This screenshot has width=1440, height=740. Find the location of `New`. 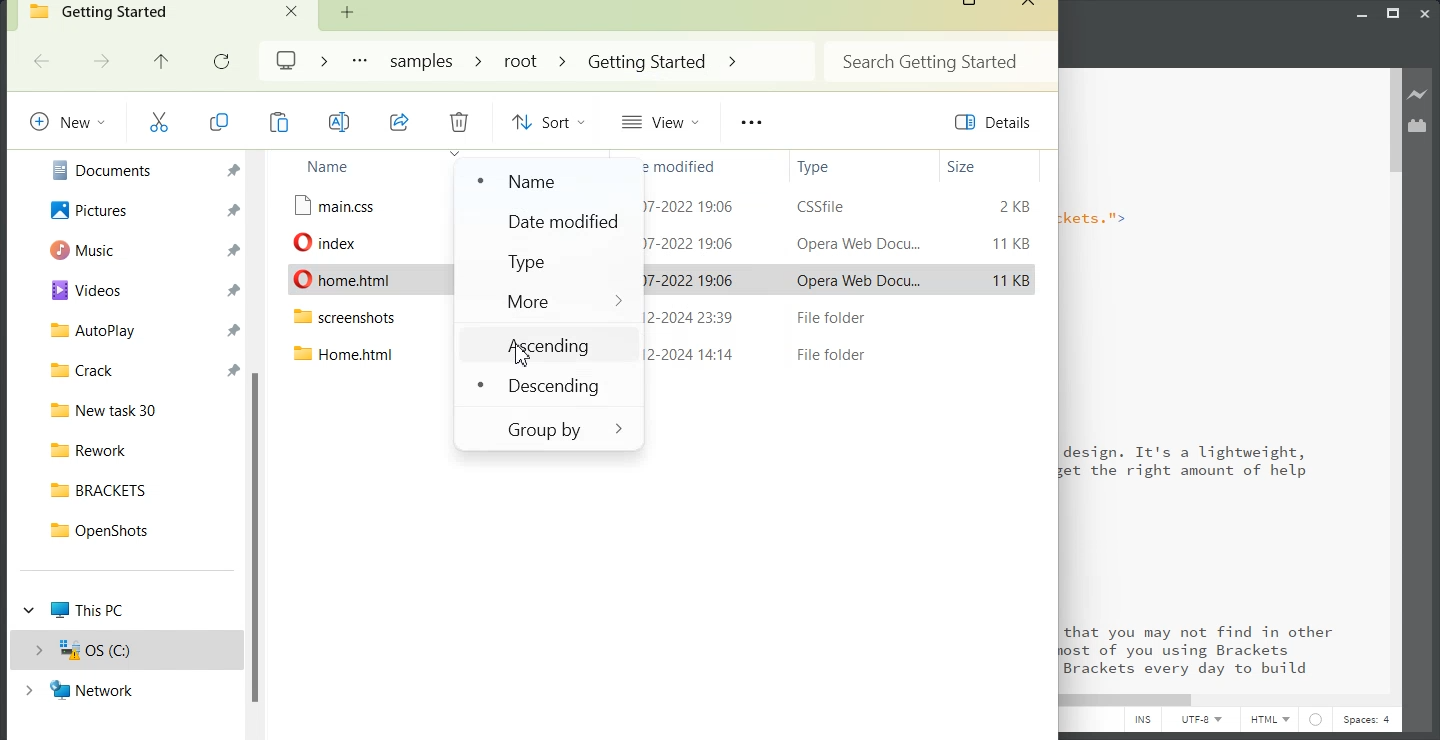

New is located at coordinates (66, 121).